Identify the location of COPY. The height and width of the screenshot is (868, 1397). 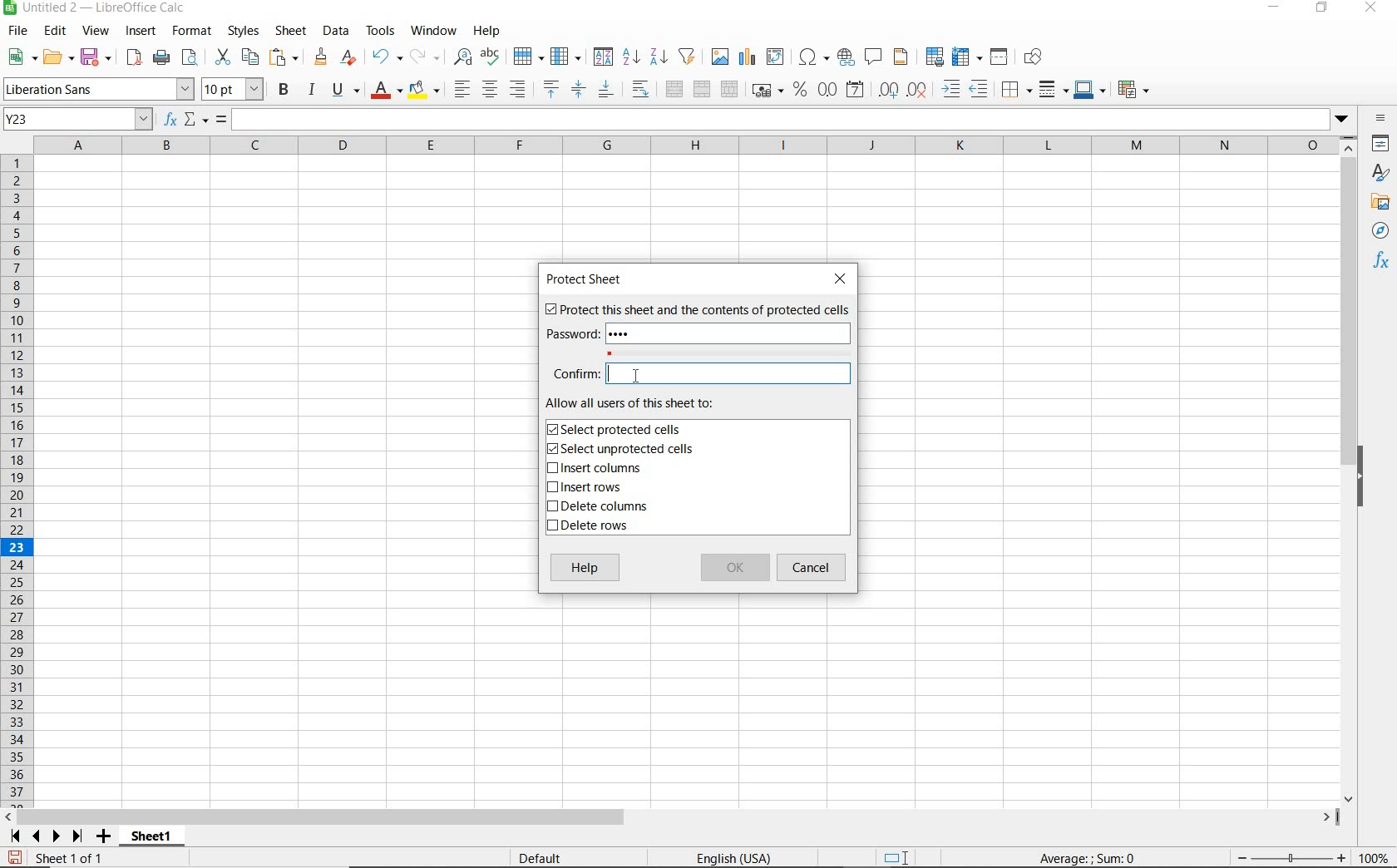
(250, 57).